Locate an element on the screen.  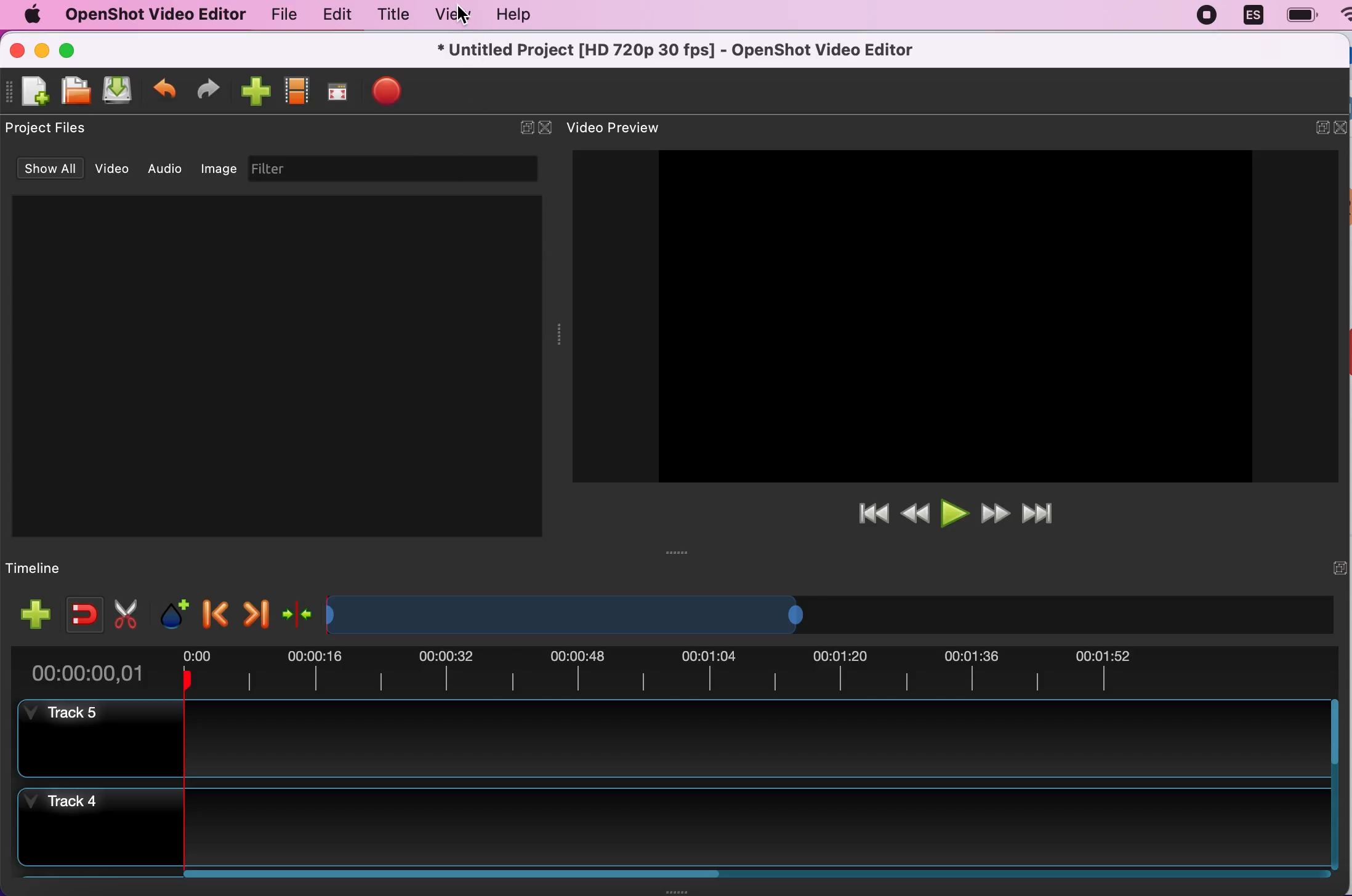
video preview is located at coordinates (631, 127).